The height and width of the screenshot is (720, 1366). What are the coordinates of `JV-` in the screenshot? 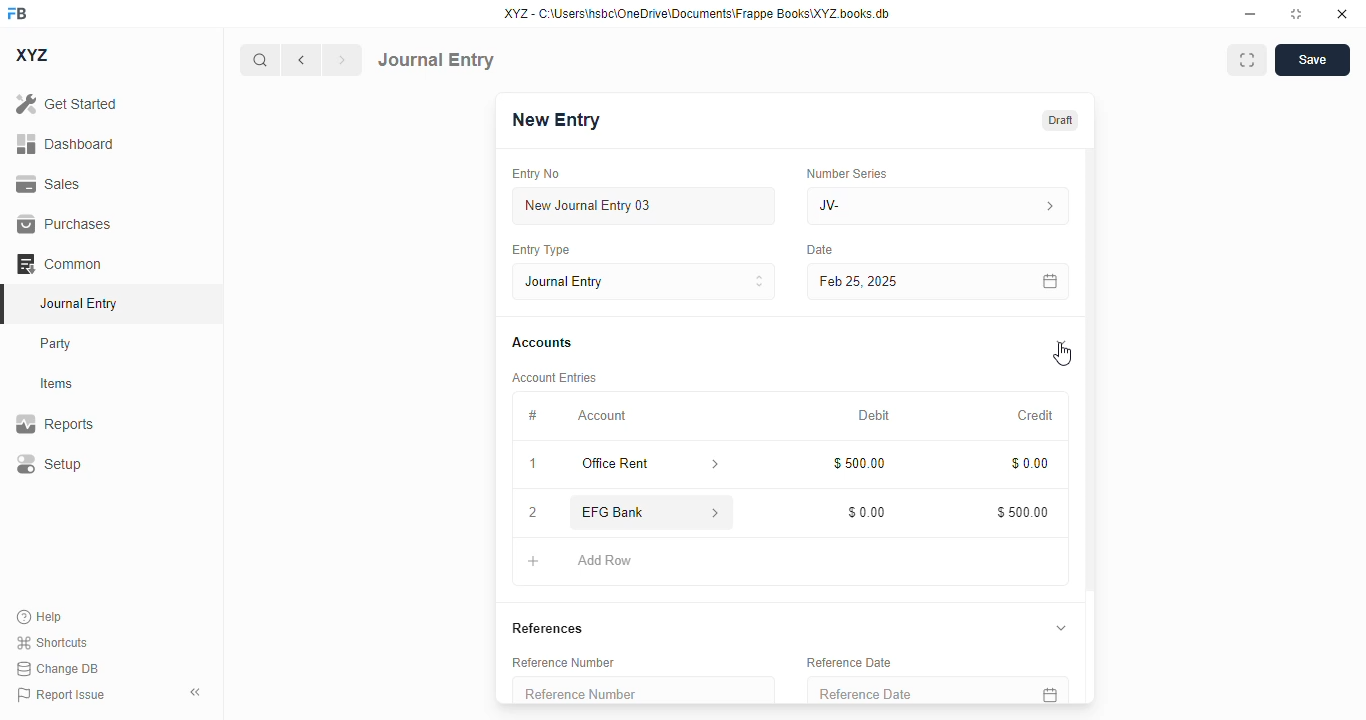 It's located at (894, 206).